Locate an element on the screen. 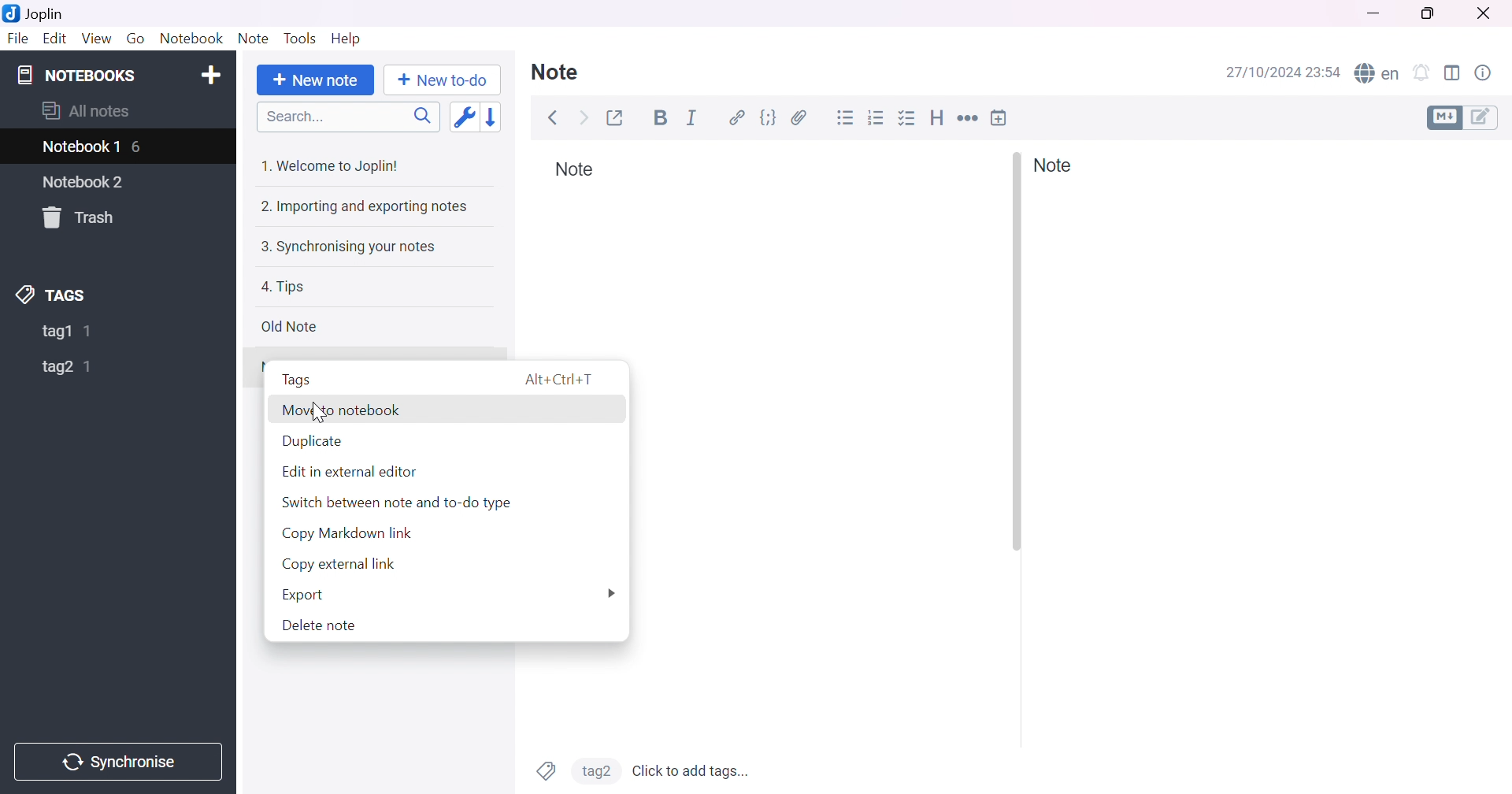  Restore down is located at coordinates (1429, 15).